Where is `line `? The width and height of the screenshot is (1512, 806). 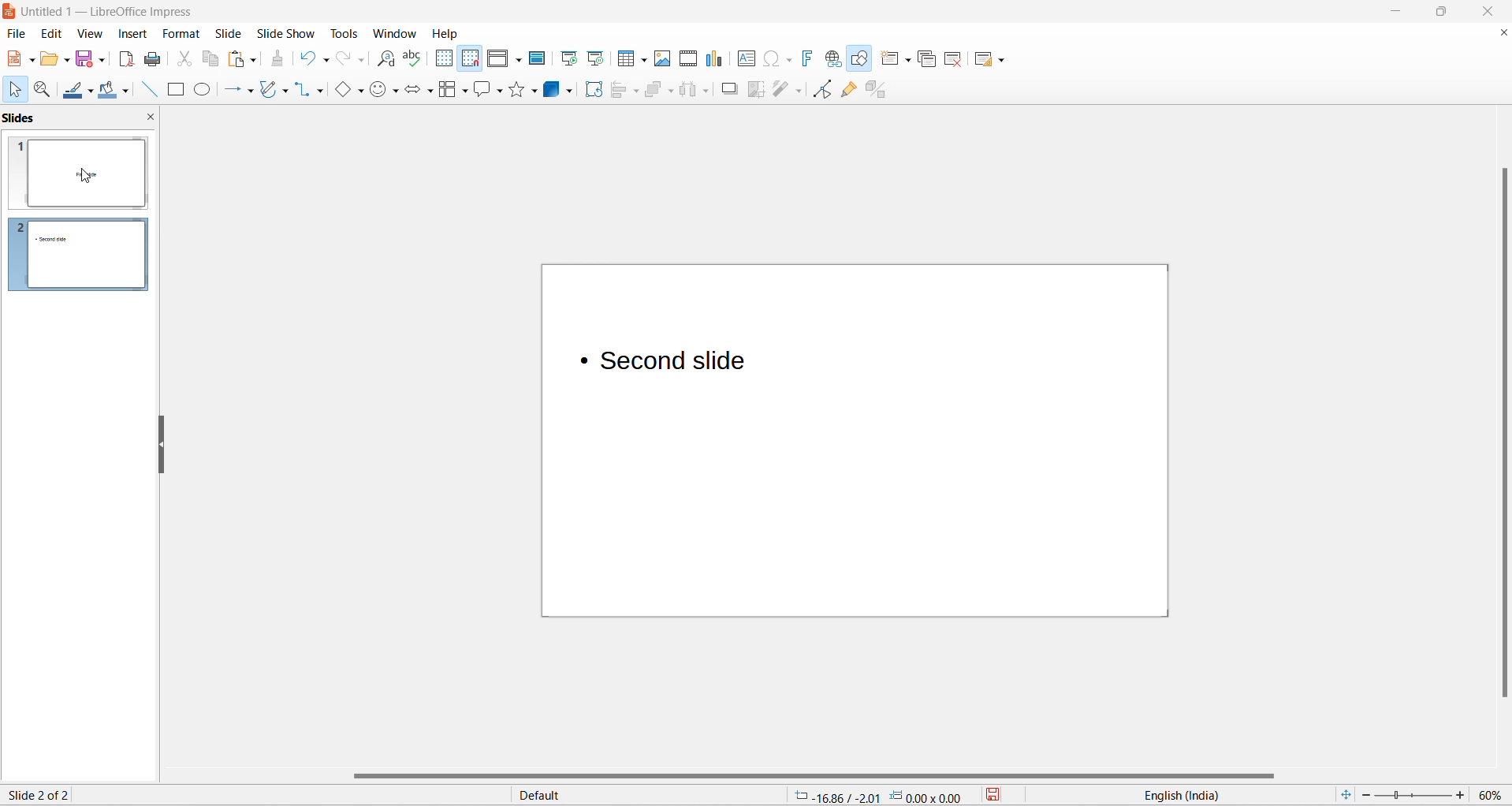
line  is located at coordinates (233, 91).